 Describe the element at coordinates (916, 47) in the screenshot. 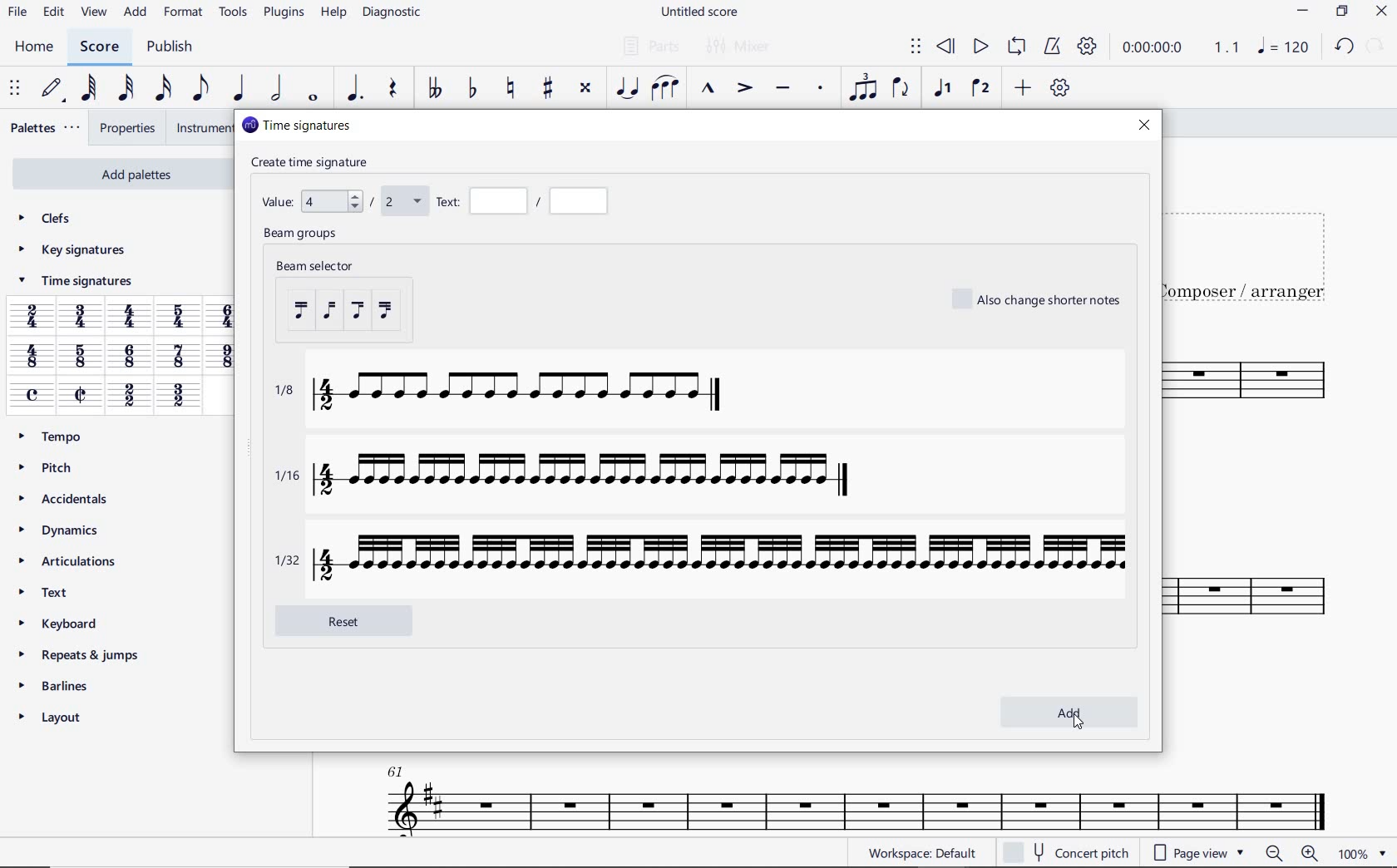

I see `SELECT TO MOVE` at that location.